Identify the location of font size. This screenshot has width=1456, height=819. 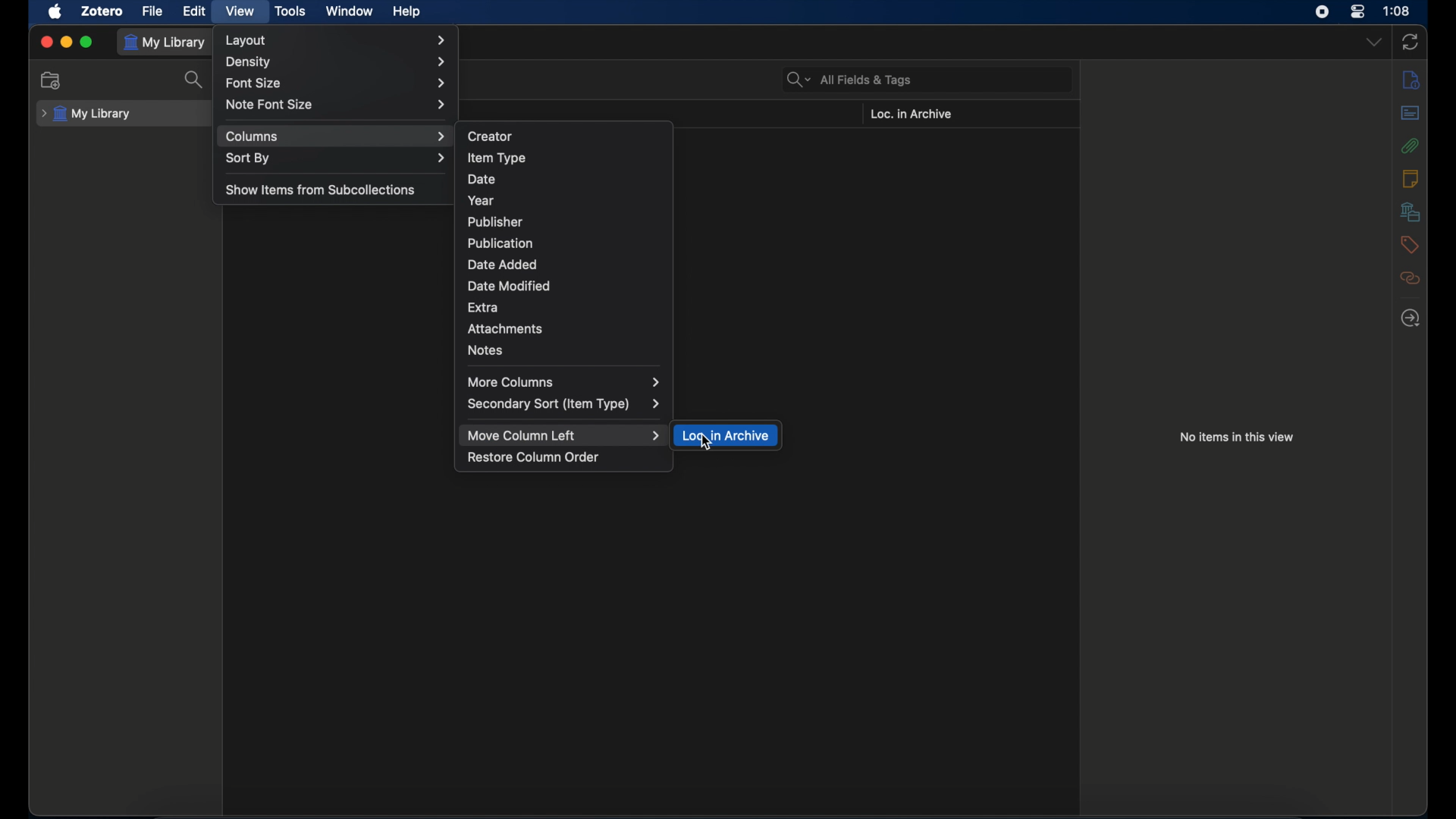
(337, 84).